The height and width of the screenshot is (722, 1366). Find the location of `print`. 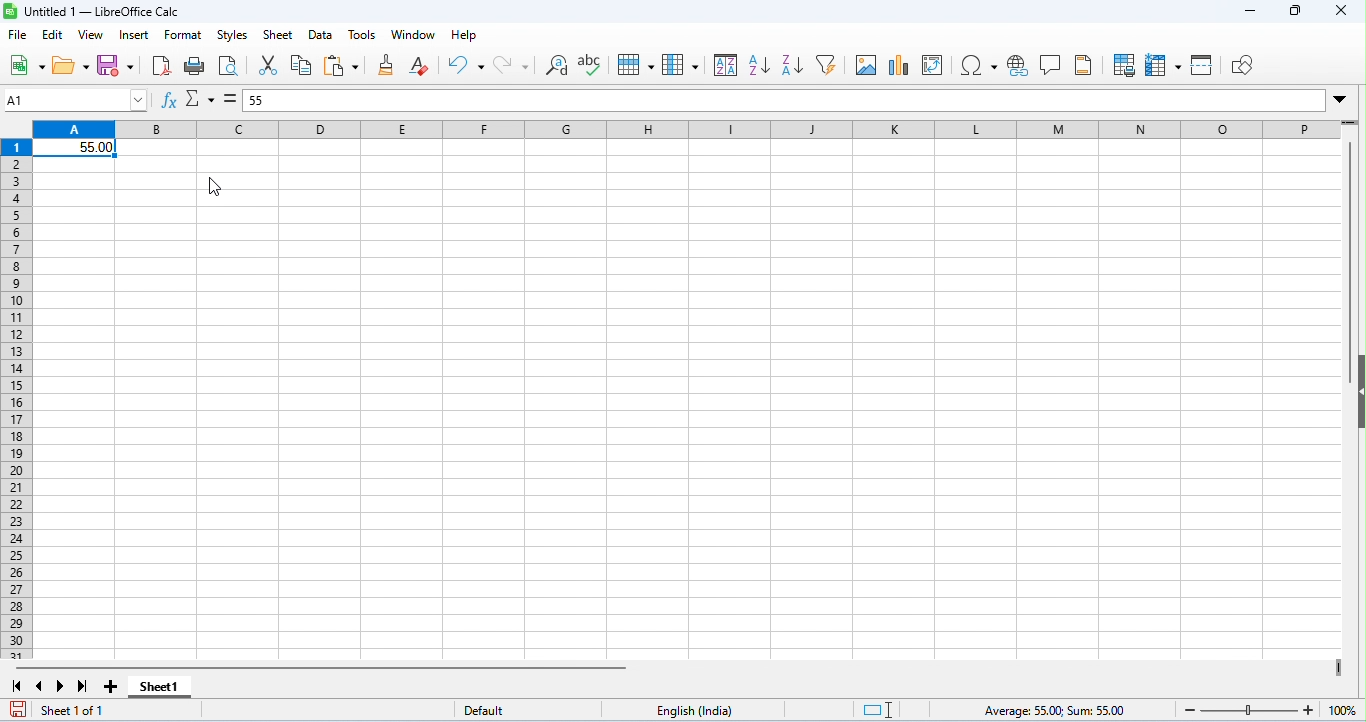

print is located at coordinates (197, 67).